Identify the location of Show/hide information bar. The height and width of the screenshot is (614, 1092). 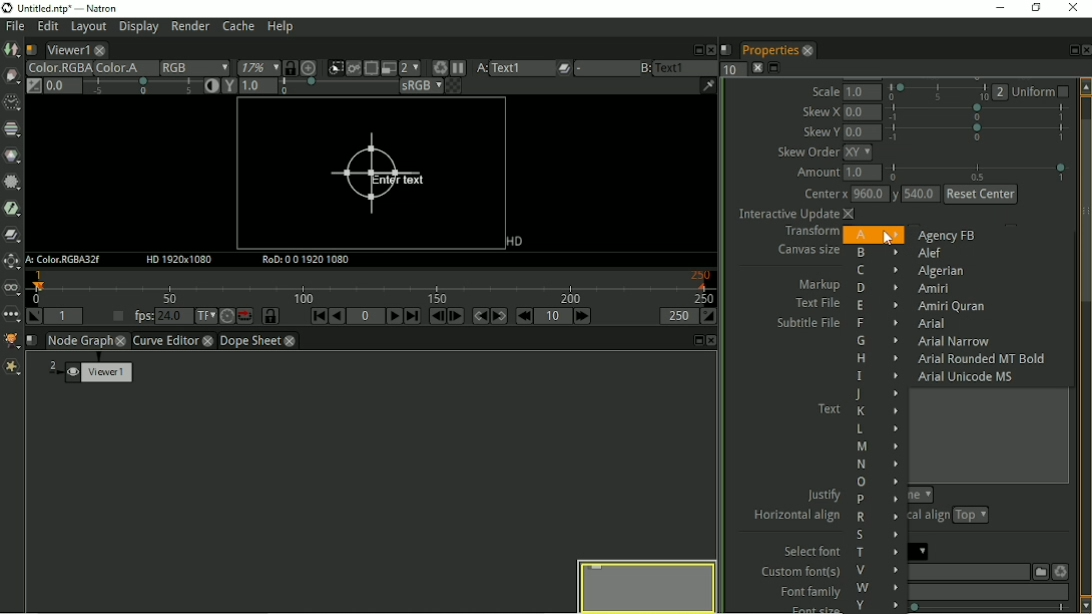
(708, 85).